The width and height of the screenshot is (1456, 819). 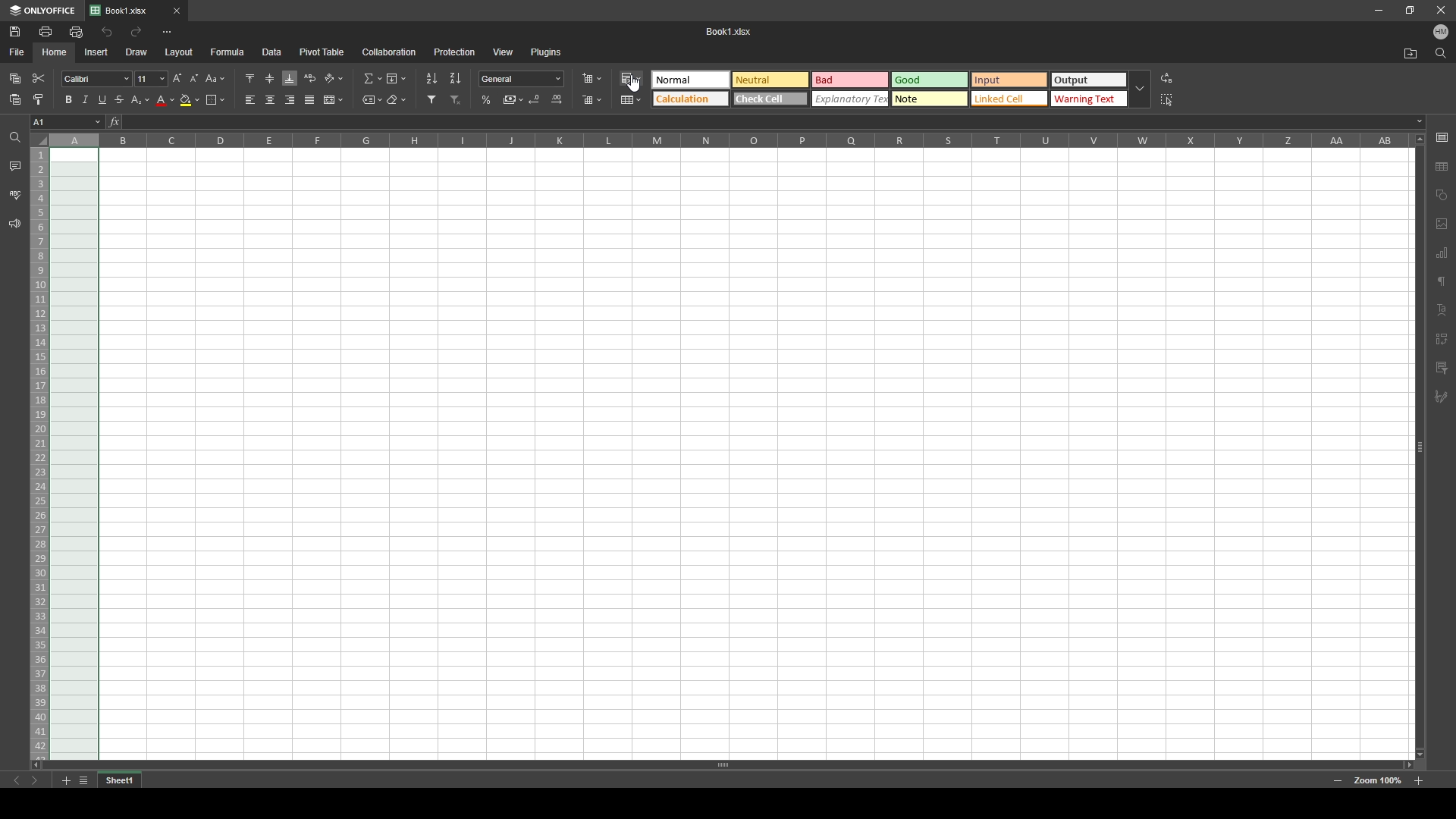 I want to click on quick print, so click(x=75, y=31).